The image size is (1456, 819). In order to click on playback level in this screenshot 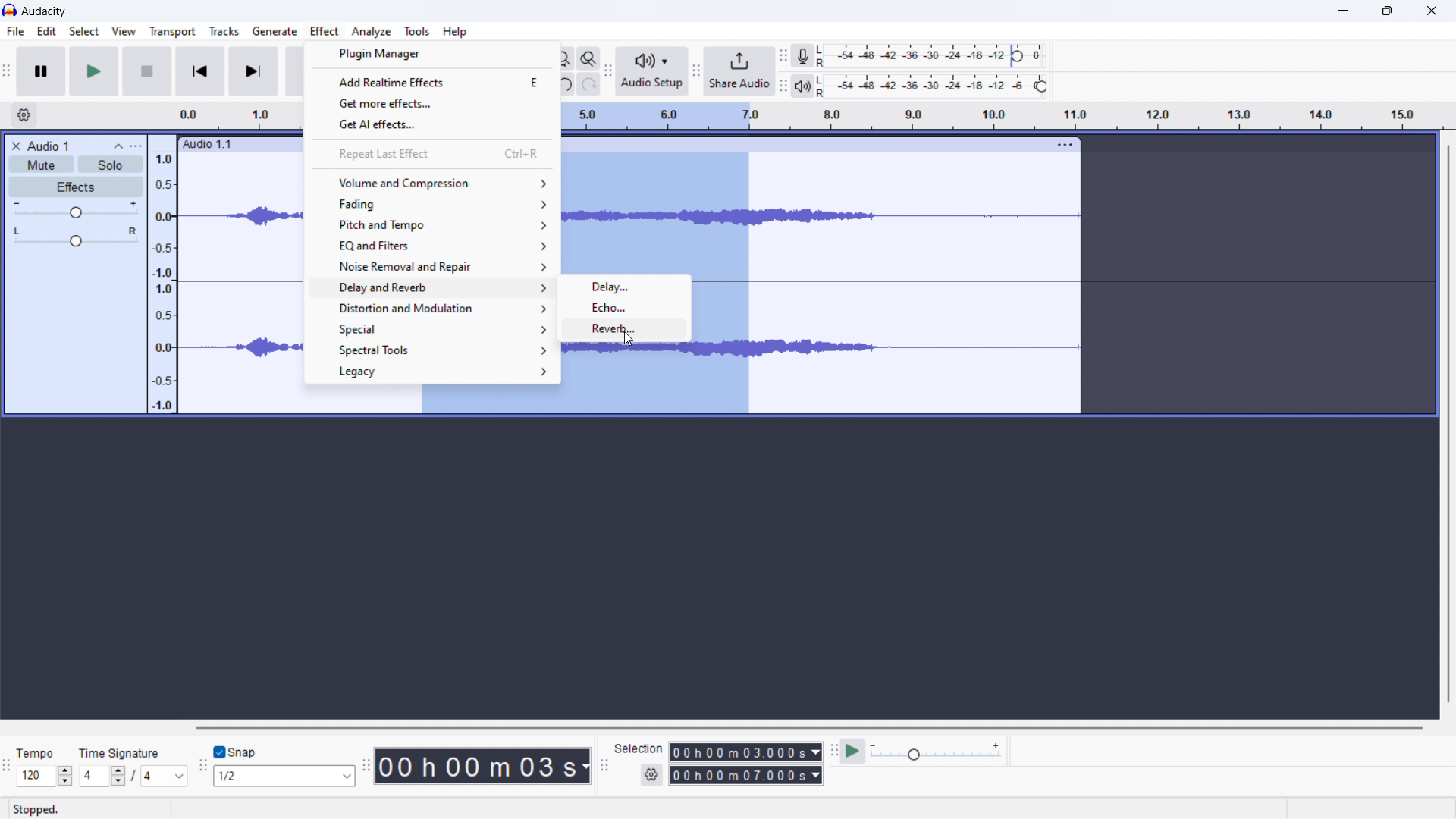, I will do `click(935, 86)`.